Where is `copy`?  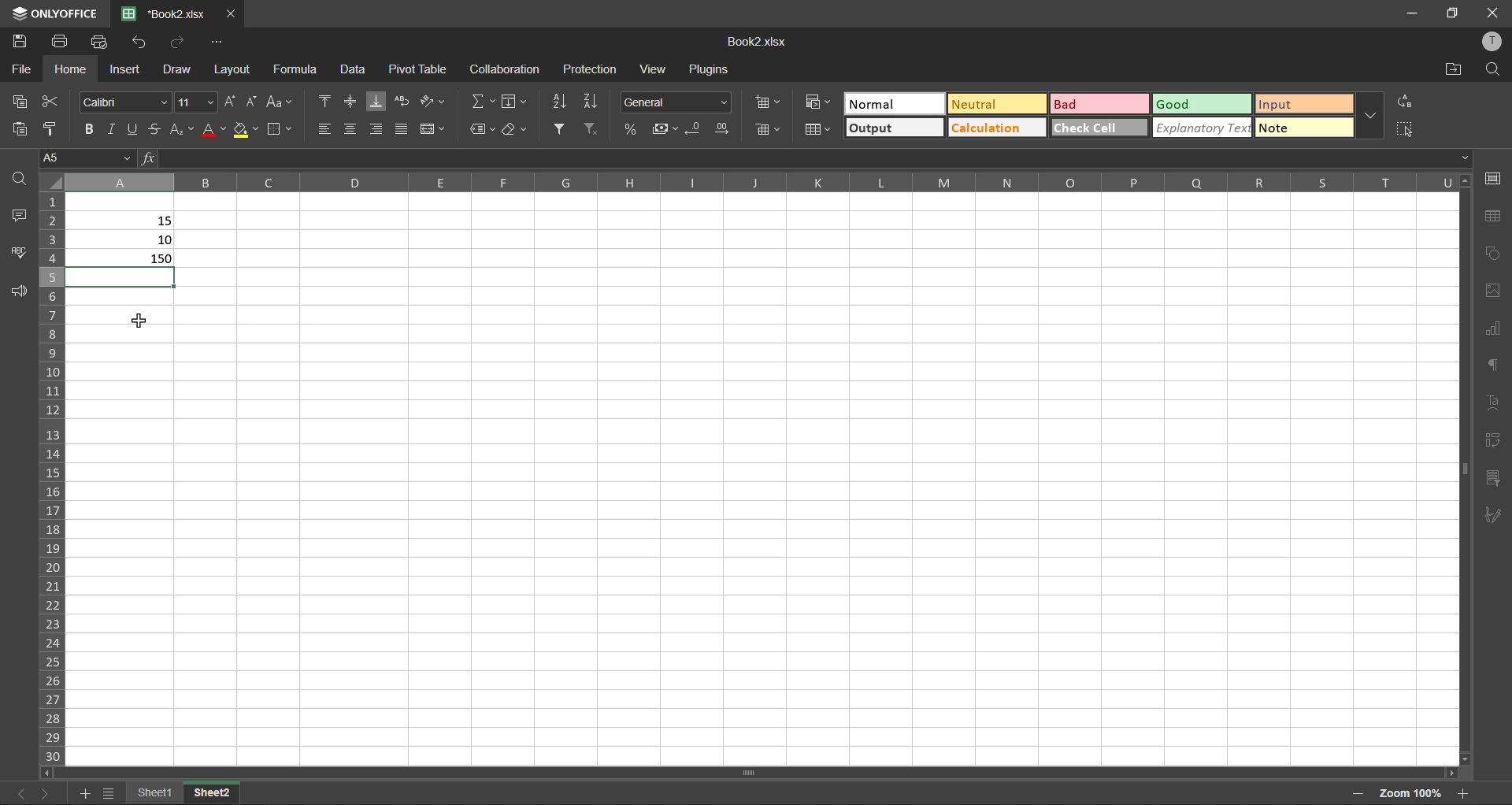 copy is located at coordinates (25, 101).